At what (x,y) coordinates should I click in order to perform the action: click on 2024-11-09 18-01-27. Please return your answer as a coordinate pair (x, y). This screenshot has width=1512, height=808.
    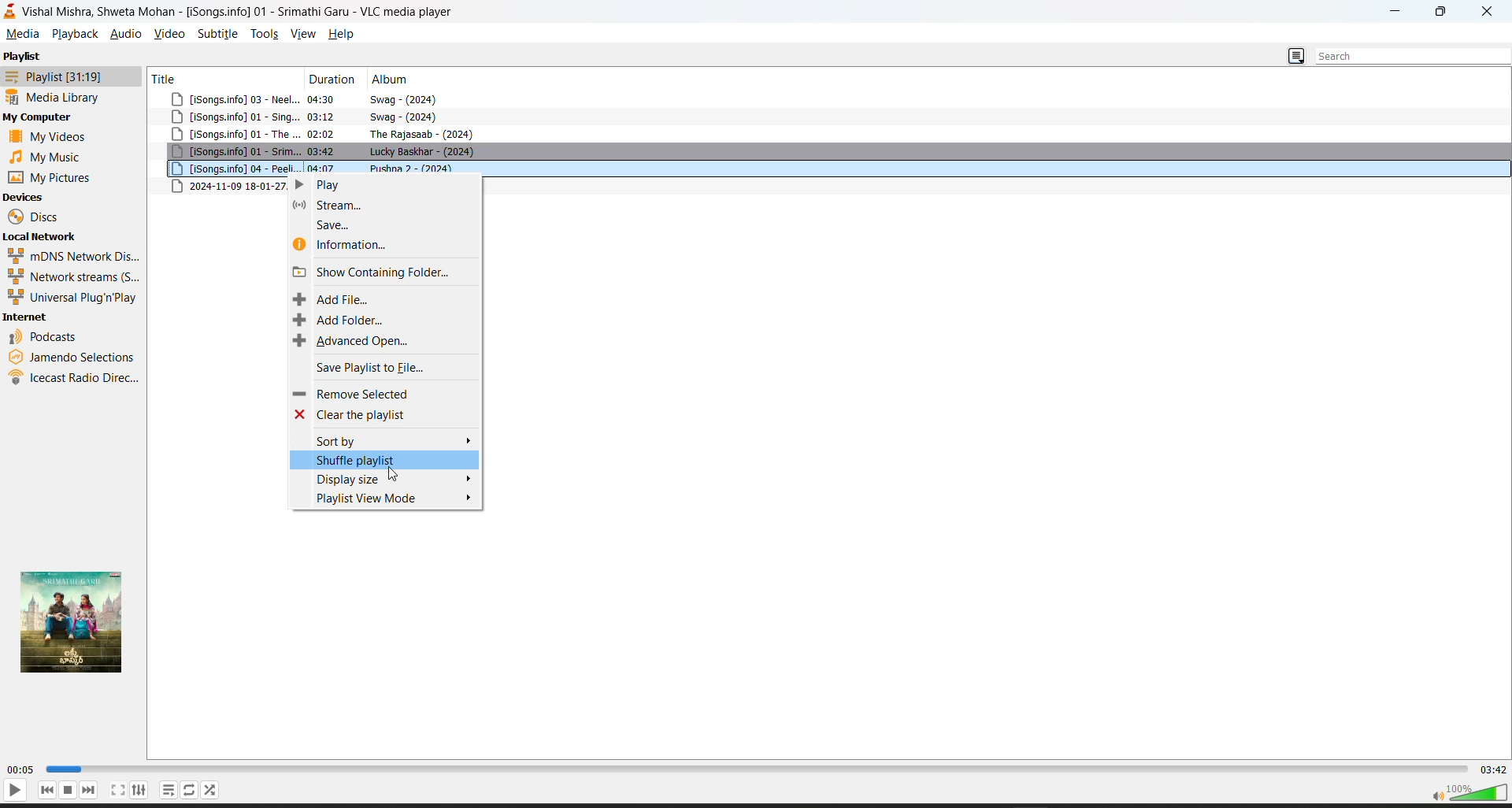
    Looking at the image, I should click on (228, 187).